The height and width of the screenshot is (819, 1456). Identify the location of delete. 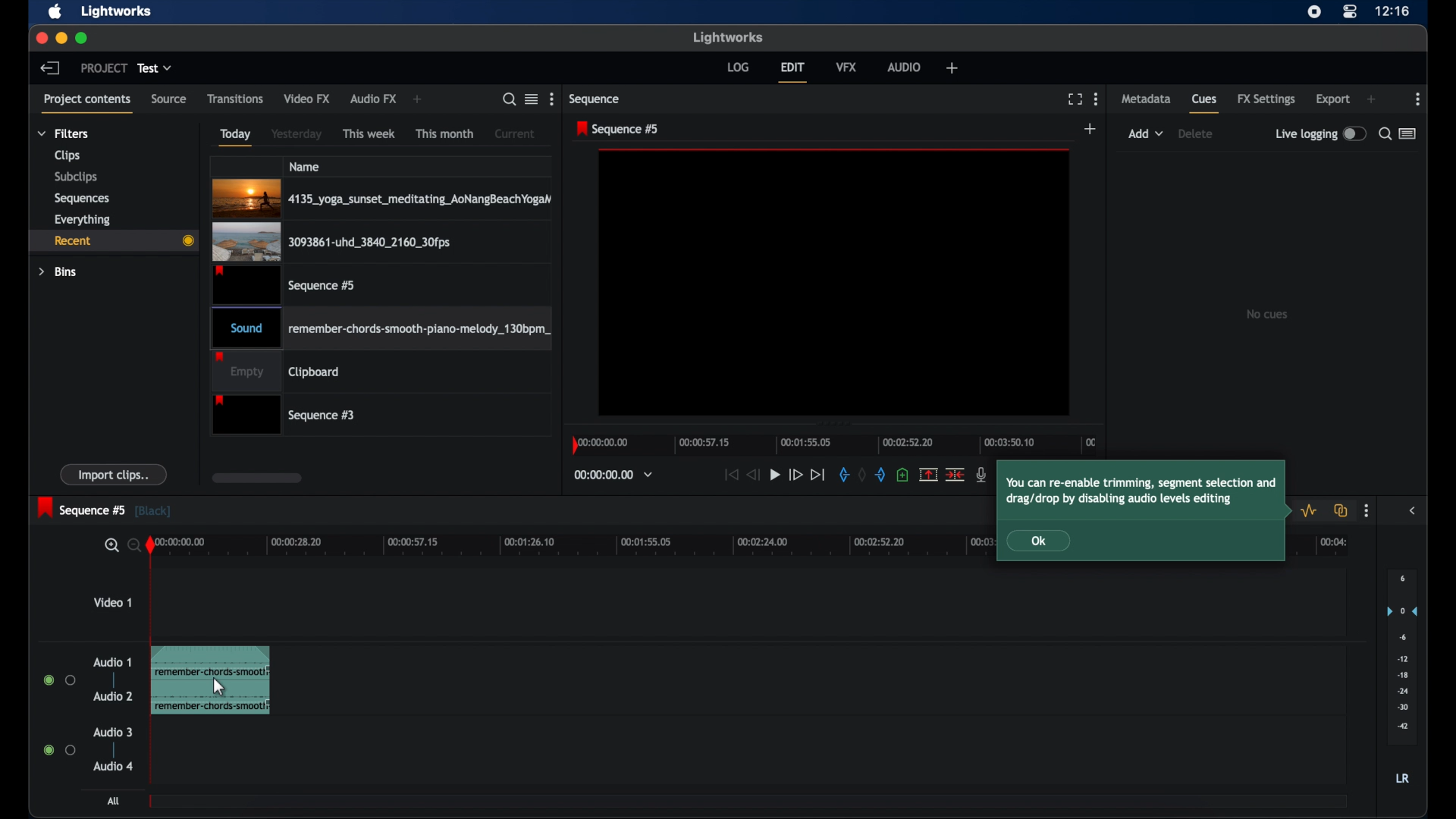
(1196, 133).